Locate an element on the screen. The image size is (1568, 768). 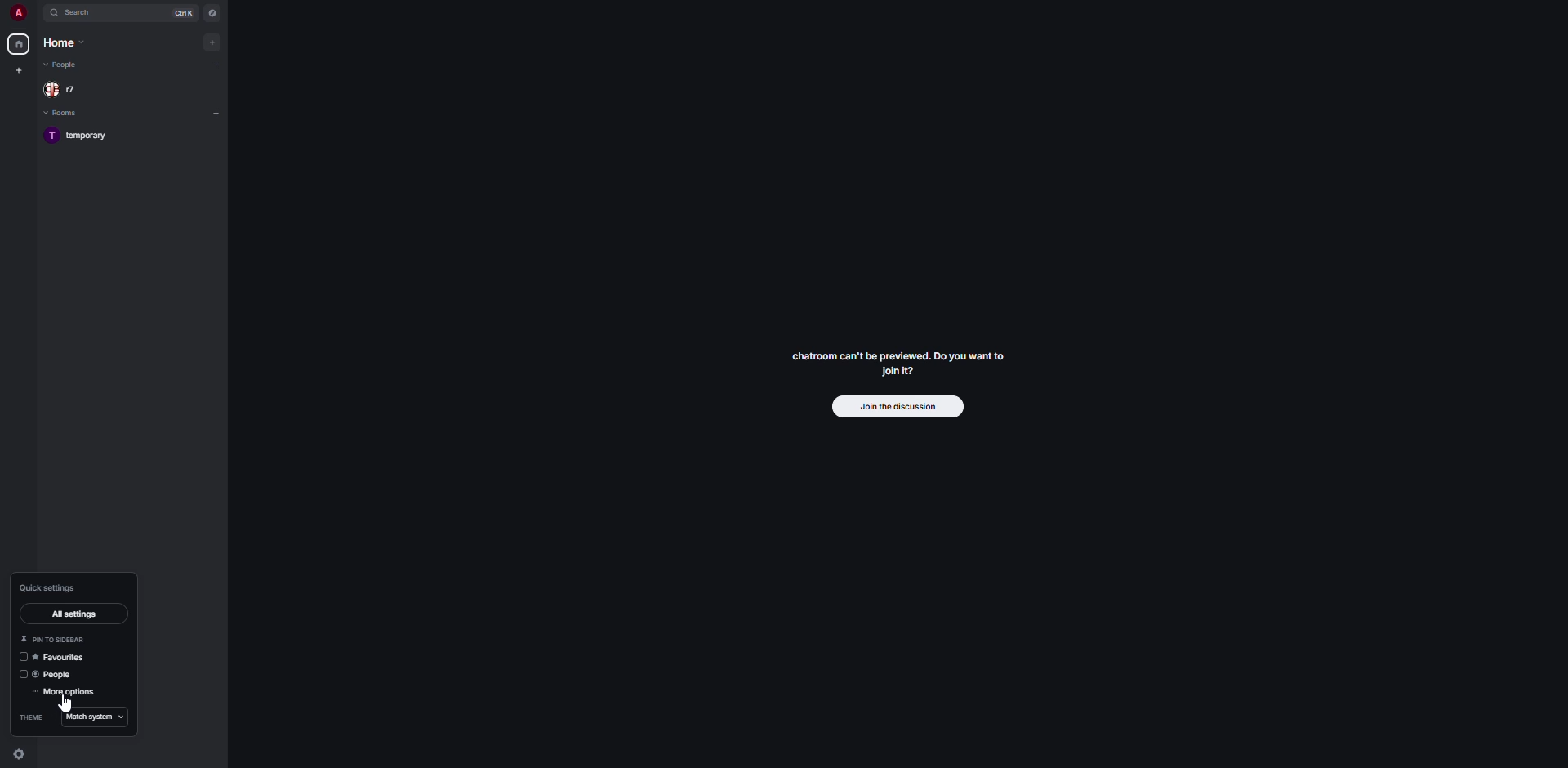
people is located at coordinates (62, 90).